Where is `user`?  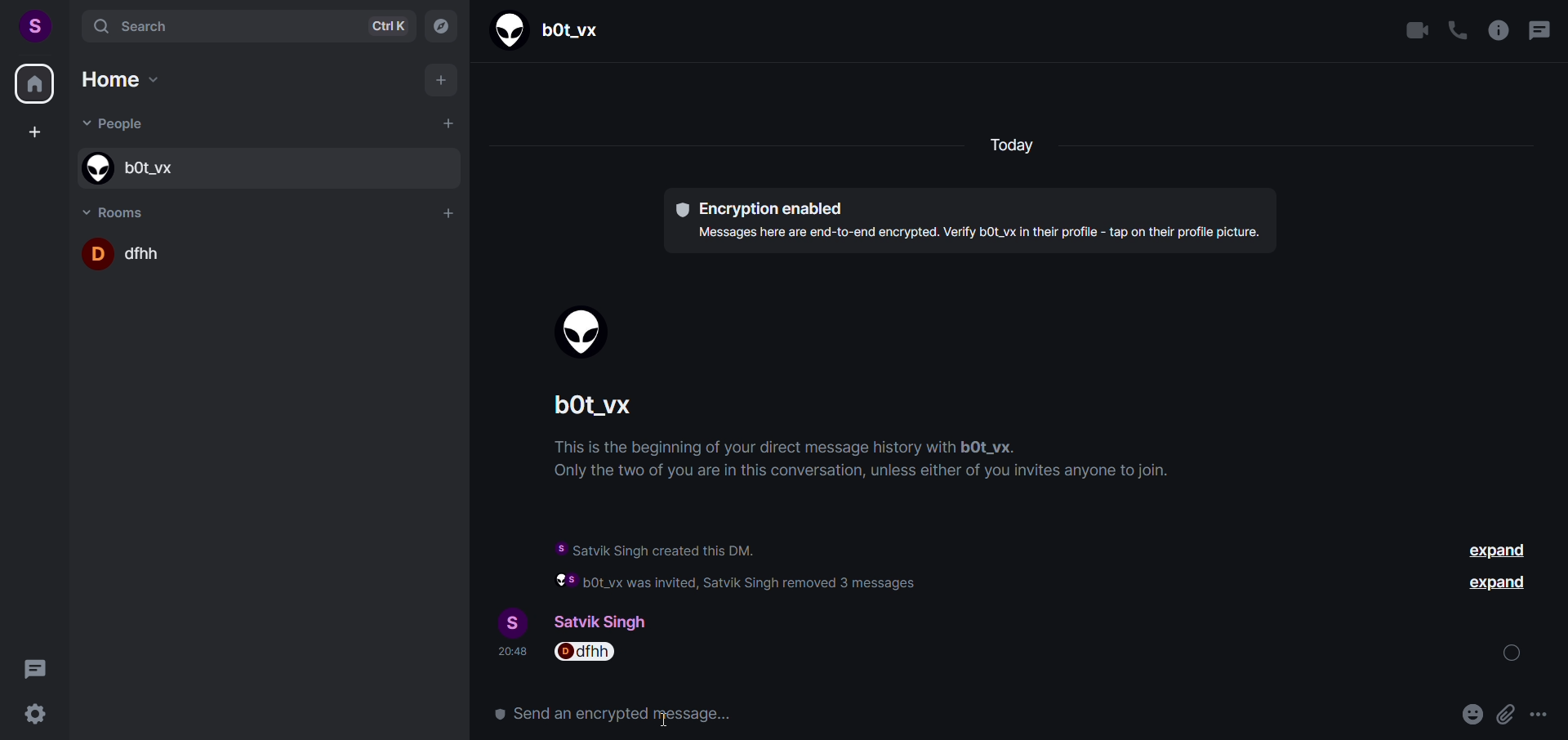
user is located at coordinates (33, 24).